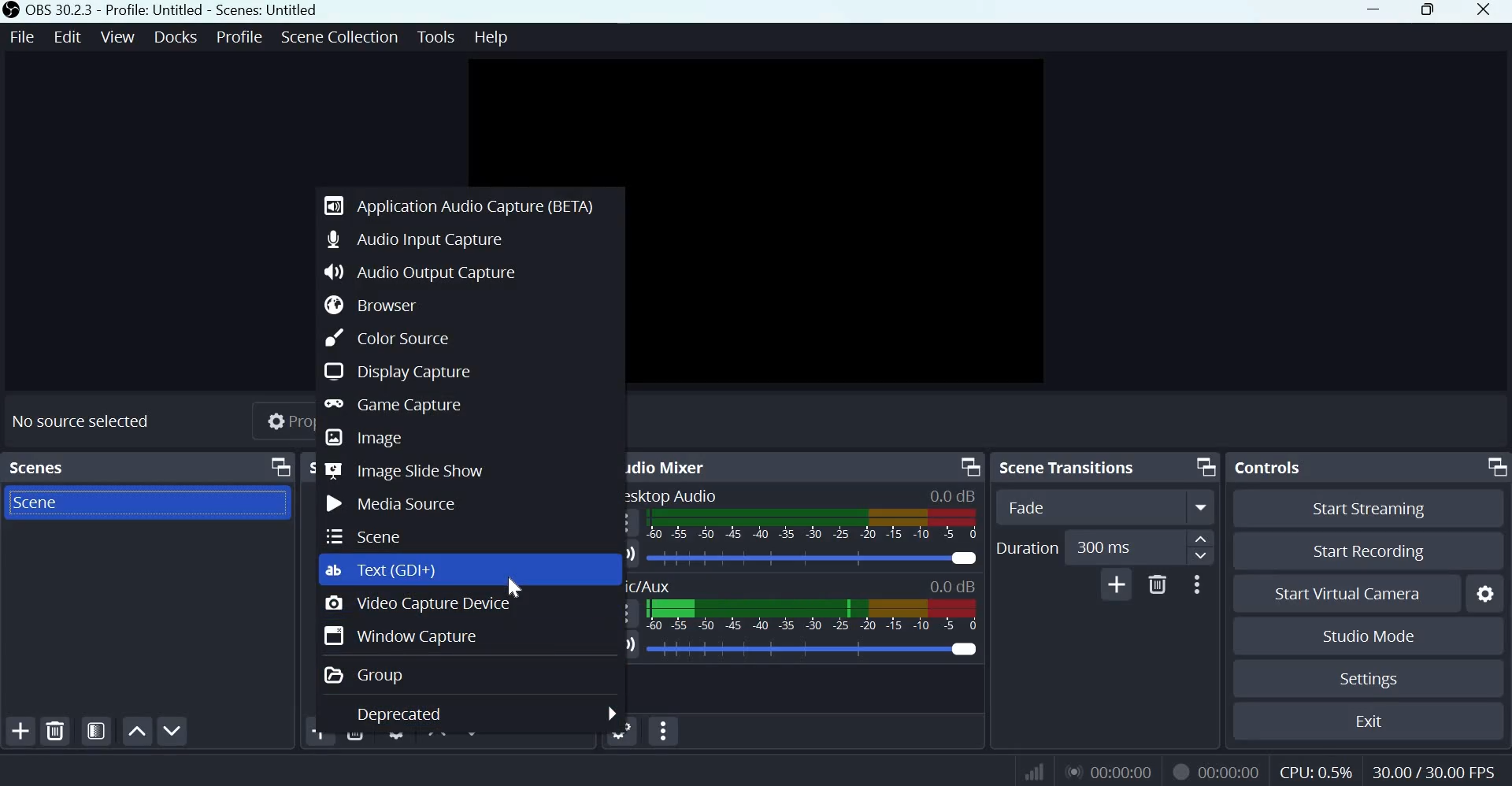 The width and height of the screenshot is (1512, 786). Describe the element at coordinates (69, 37) in the screenshot. I see `Edit` at that location.